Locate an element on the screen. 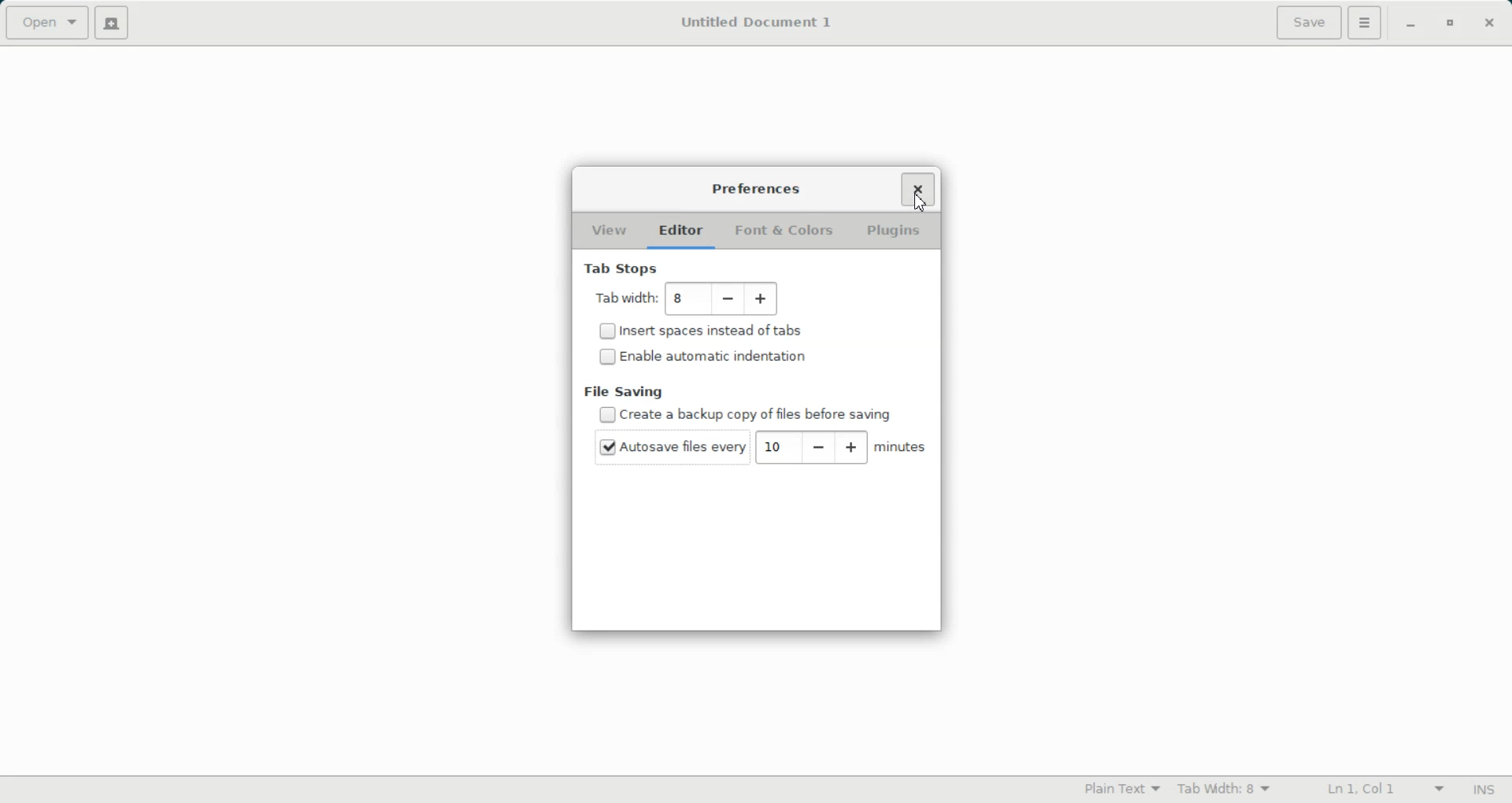  10 is located at coordinates (771, 445).